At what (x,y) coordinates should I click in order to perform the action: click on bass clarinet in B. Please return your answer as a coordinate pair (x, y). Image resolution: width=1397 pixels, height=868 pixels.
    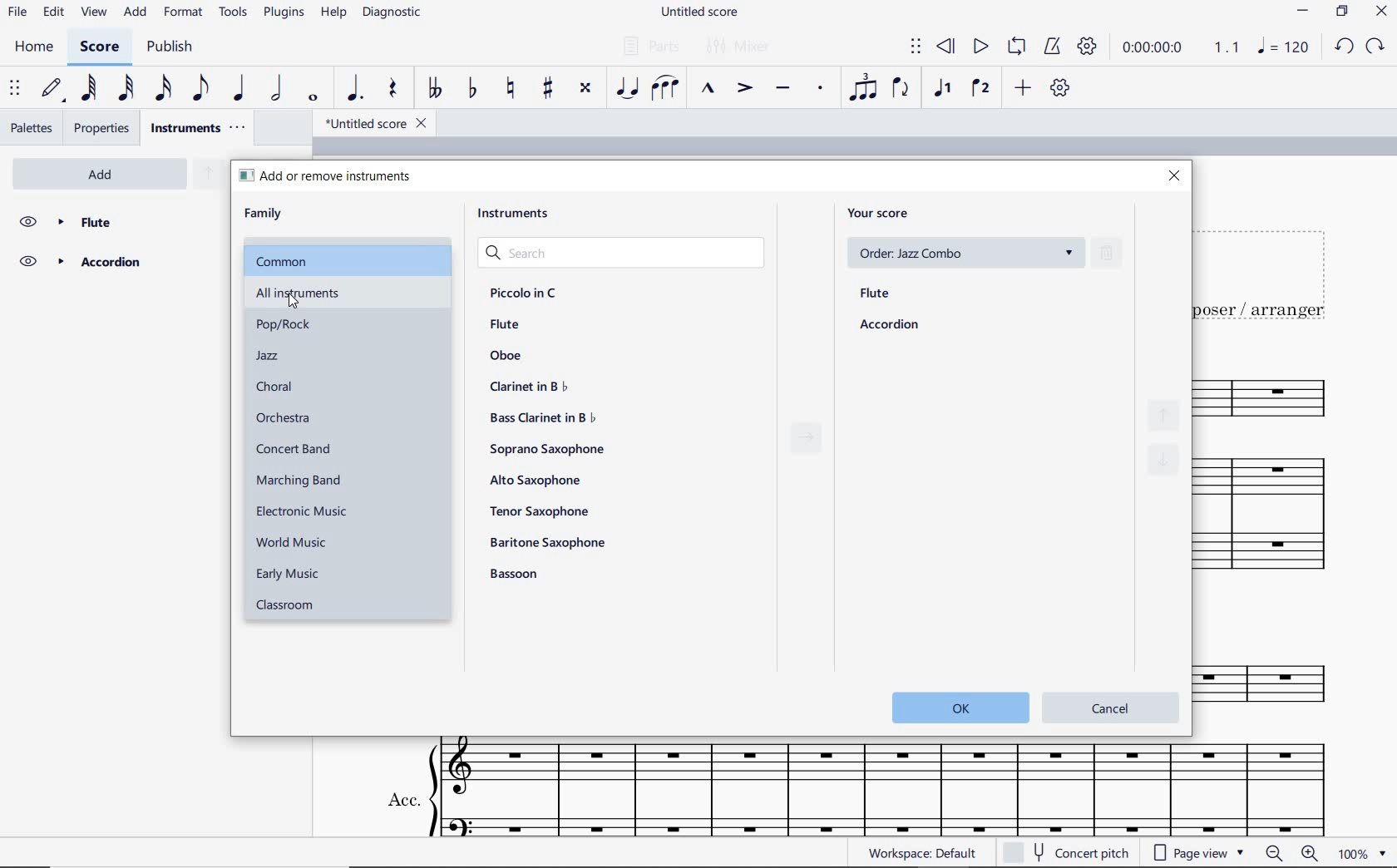
    Looking at the image, I should click on (541, 418).